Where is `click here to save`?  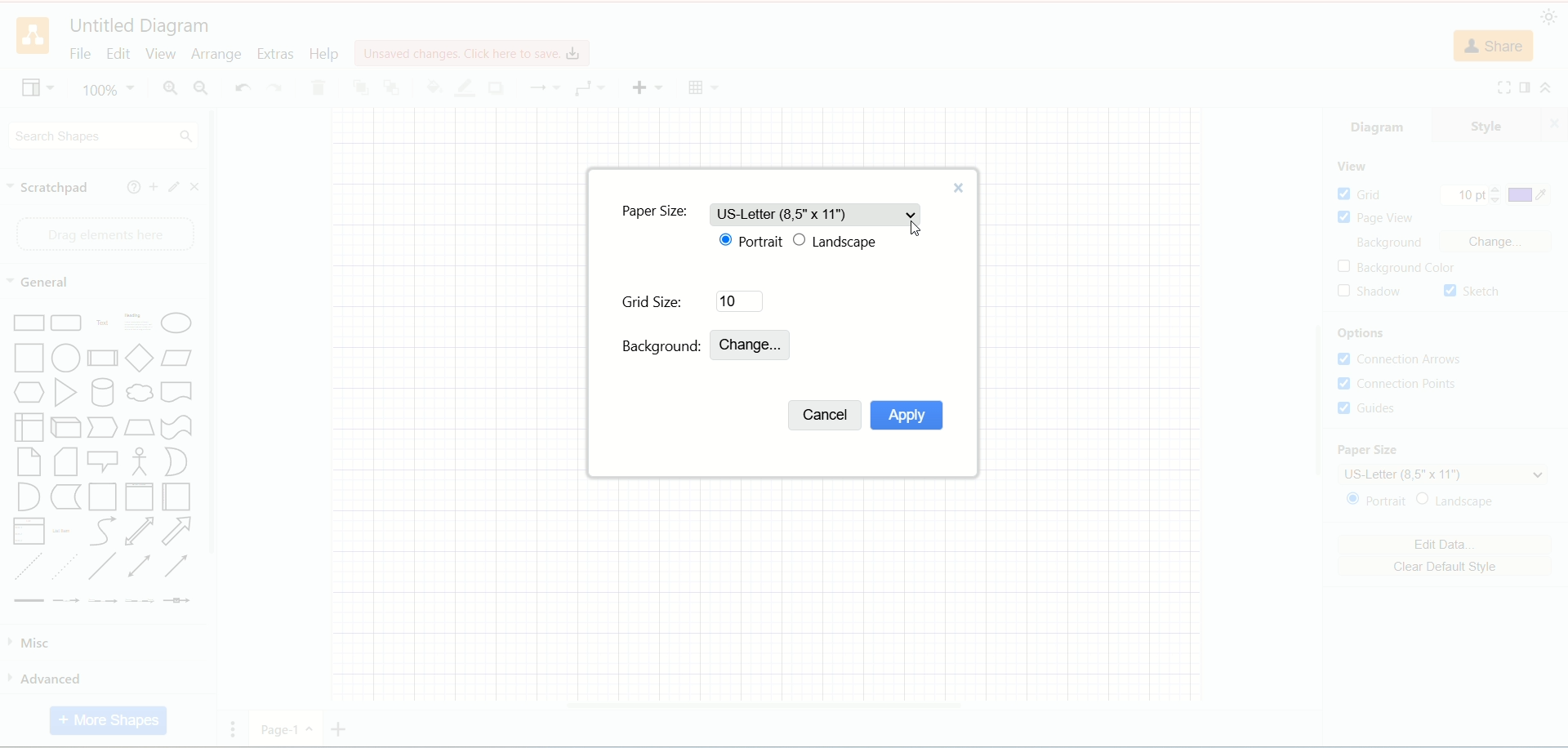 click here to save is located at coordinates (474, 51).